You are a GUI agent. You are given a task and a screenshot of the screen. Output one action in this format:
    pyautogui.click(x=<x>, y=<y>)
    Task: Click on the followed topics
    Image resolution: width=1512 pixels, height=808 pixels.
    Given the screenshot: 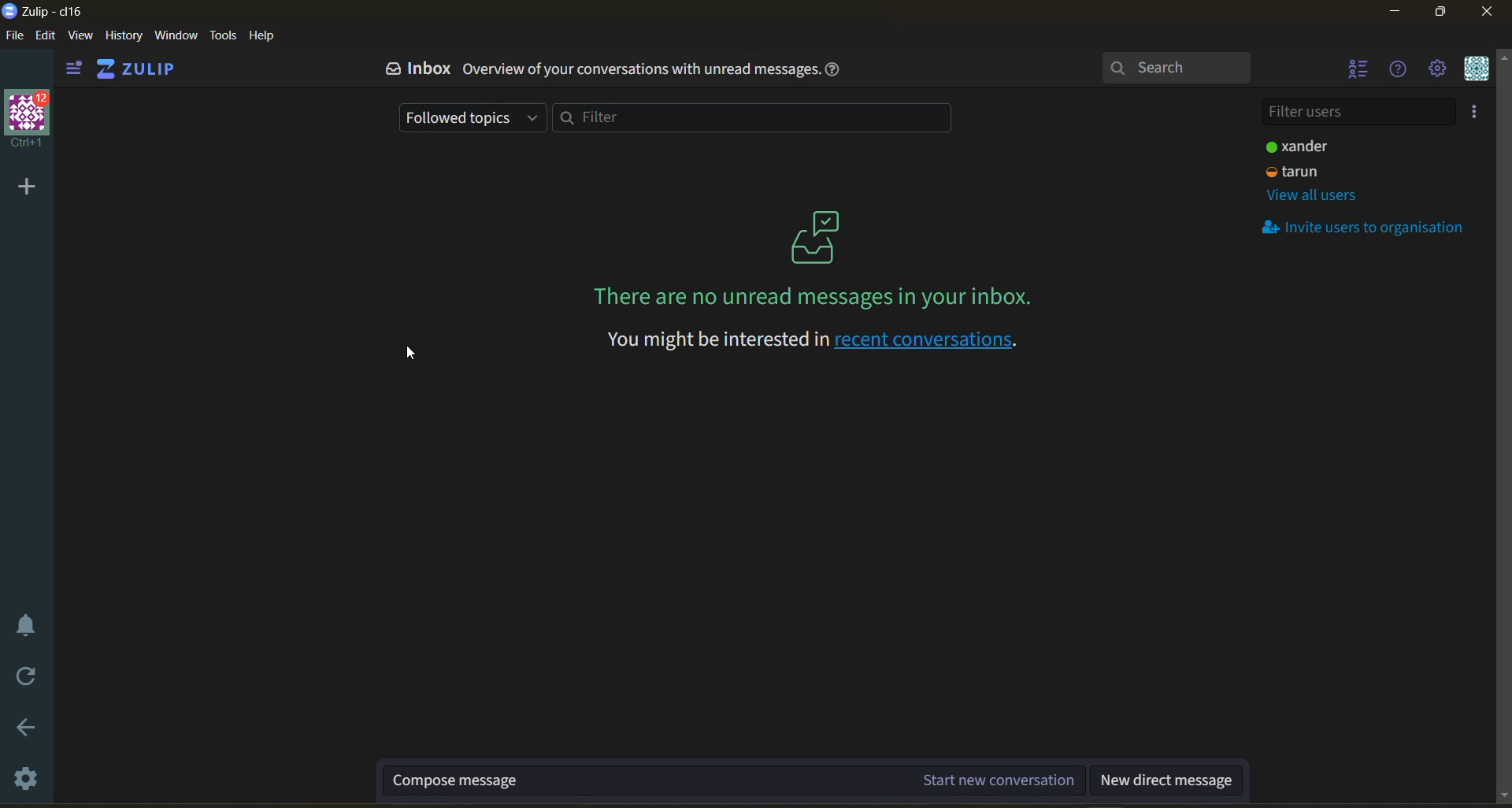 What is the action you would take?
    pyautogui.click(x=473, y=116)
    